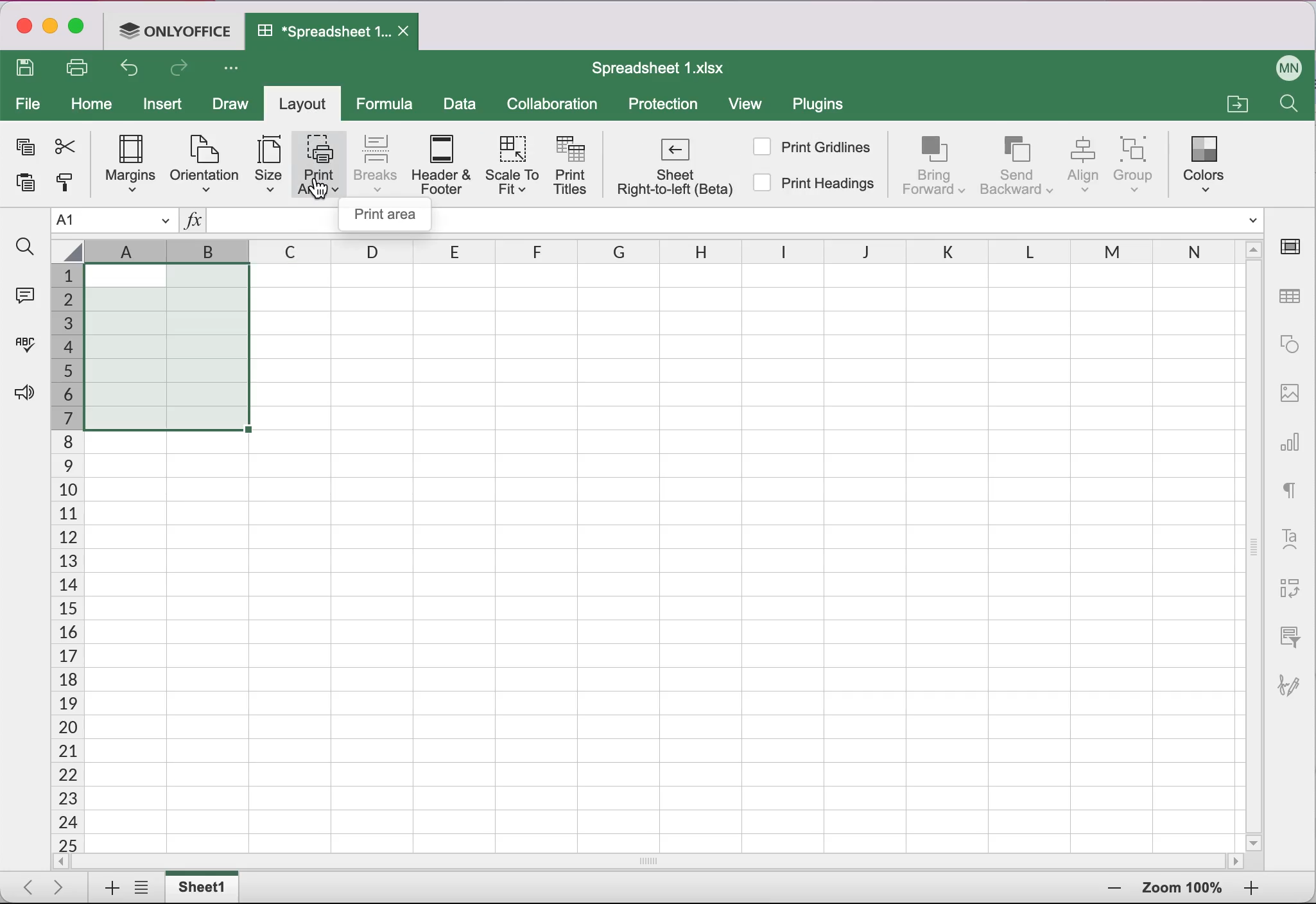 This screenshot has width=1316, height=904. I want to click on sheet tab, so click(205, 887).